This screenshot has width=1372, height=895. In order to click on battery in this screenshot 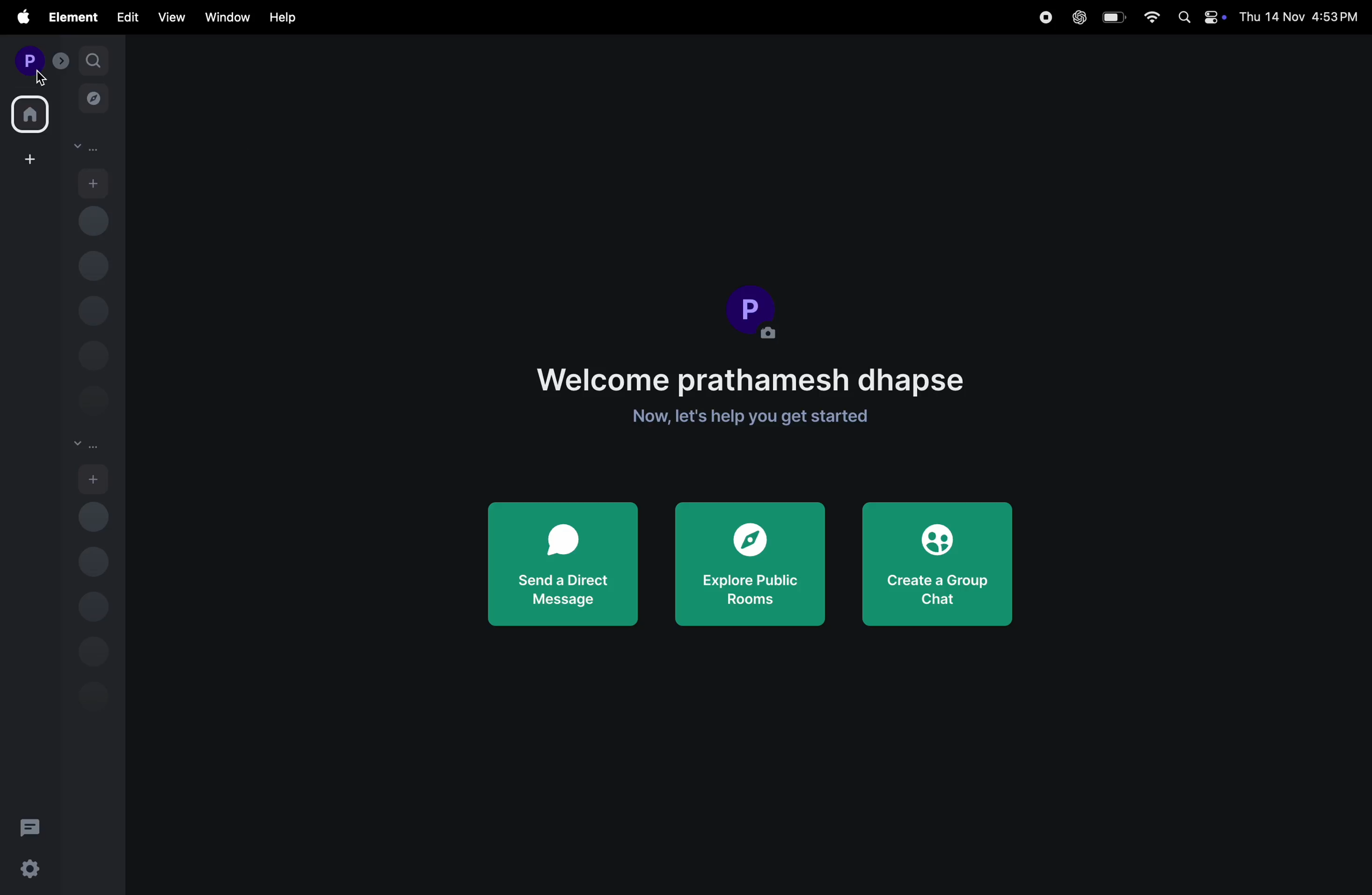, I will do `click(1114, 18)`.